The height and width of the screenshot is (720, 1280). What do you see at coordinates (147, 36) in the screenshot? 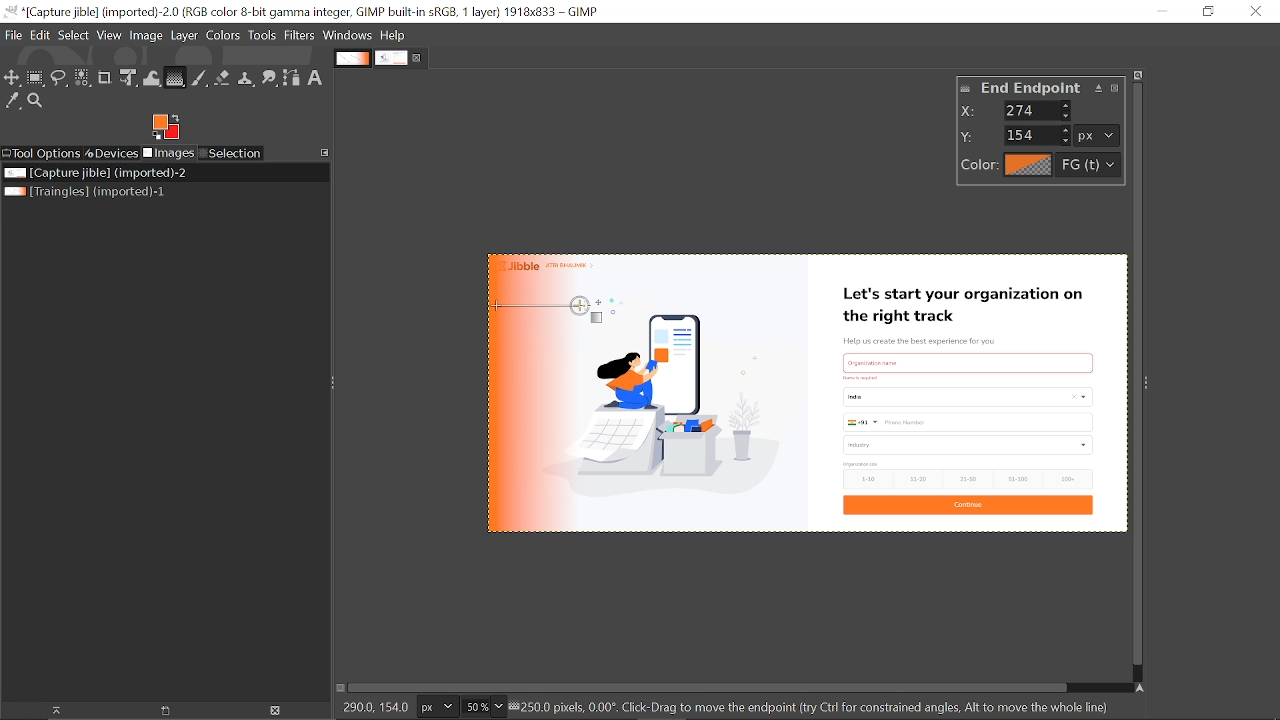
I see `Image` at bounding box center [147, 36].